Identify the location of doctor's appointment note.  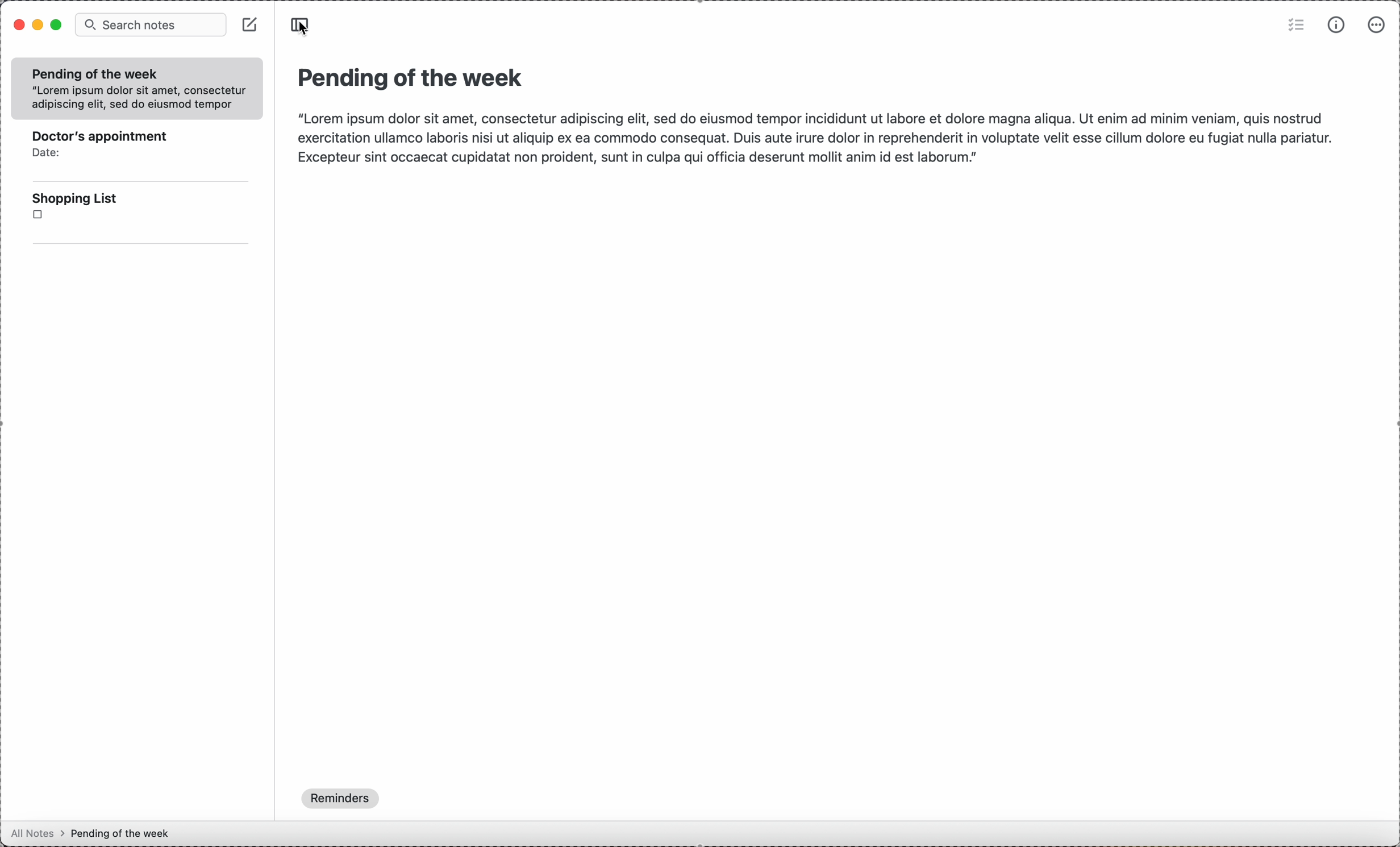
(115, 150).